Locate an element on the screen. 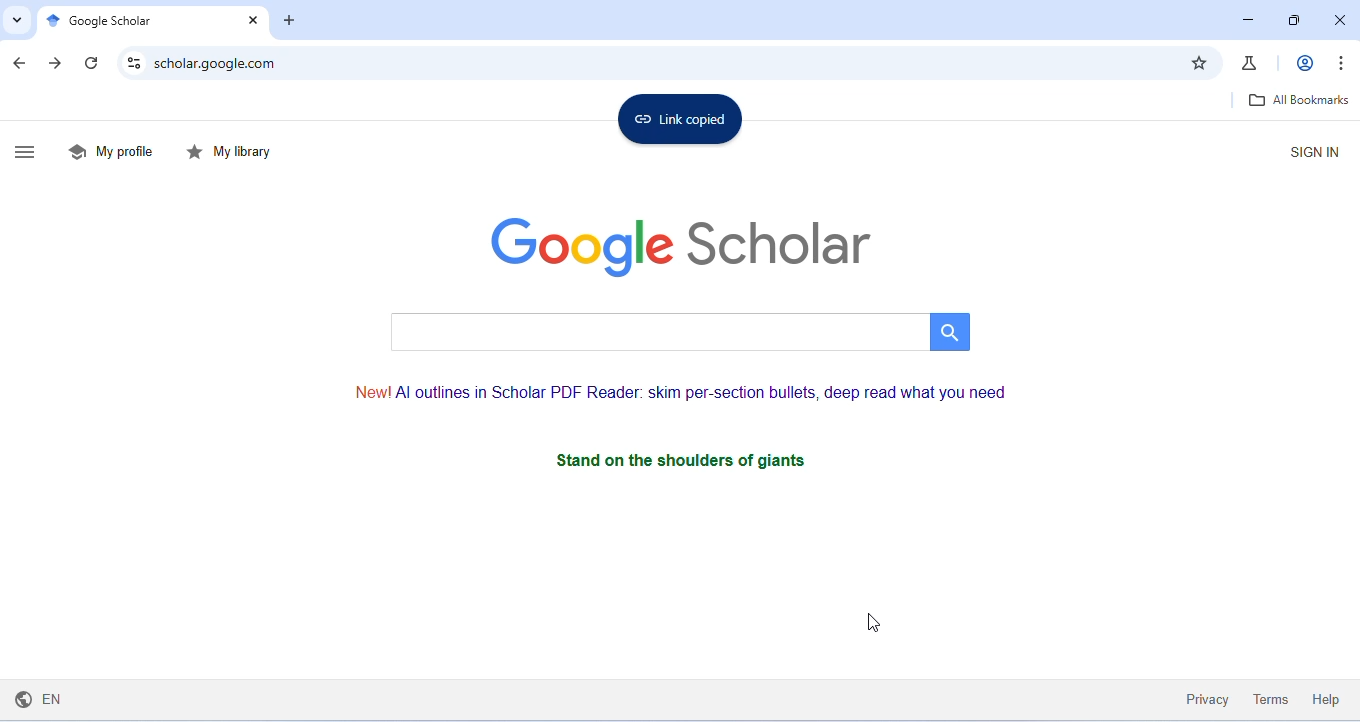 The width and height of the screenshot is (1360, 722). close tab is located at coordinates (251, 20).